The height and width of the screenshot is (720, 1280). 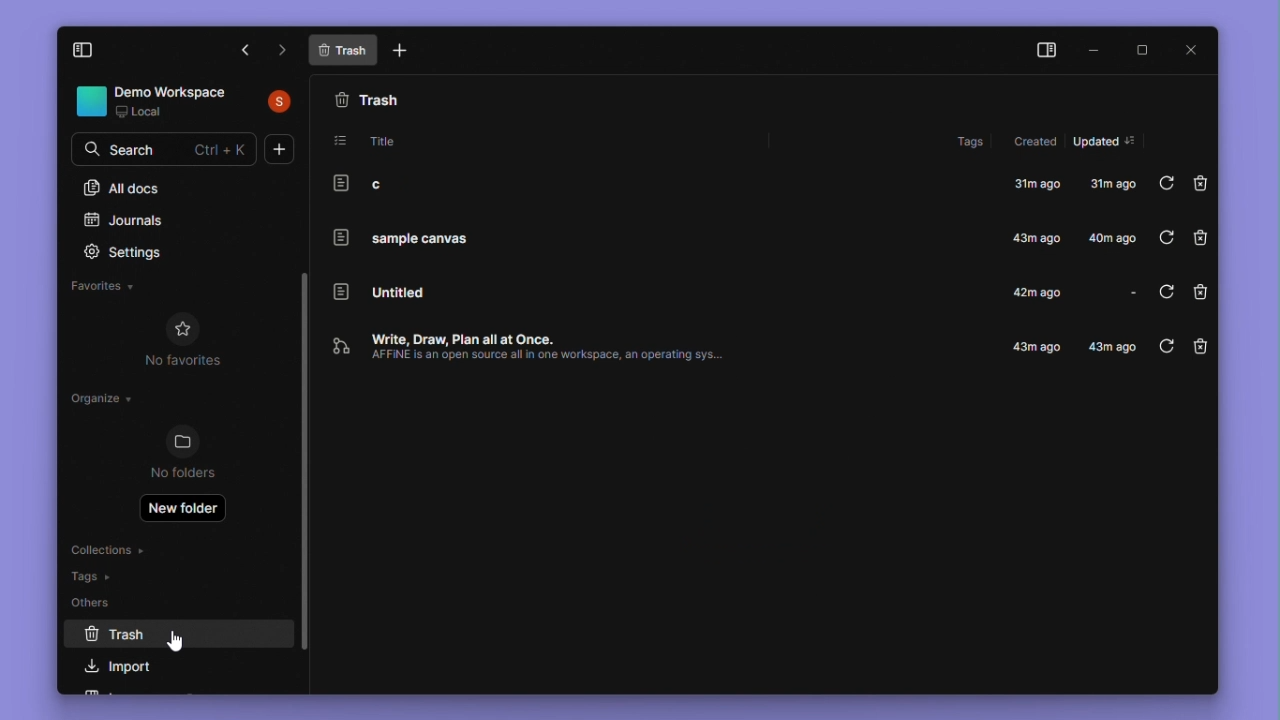 I want to click on Title, so click(x=376, y=139).